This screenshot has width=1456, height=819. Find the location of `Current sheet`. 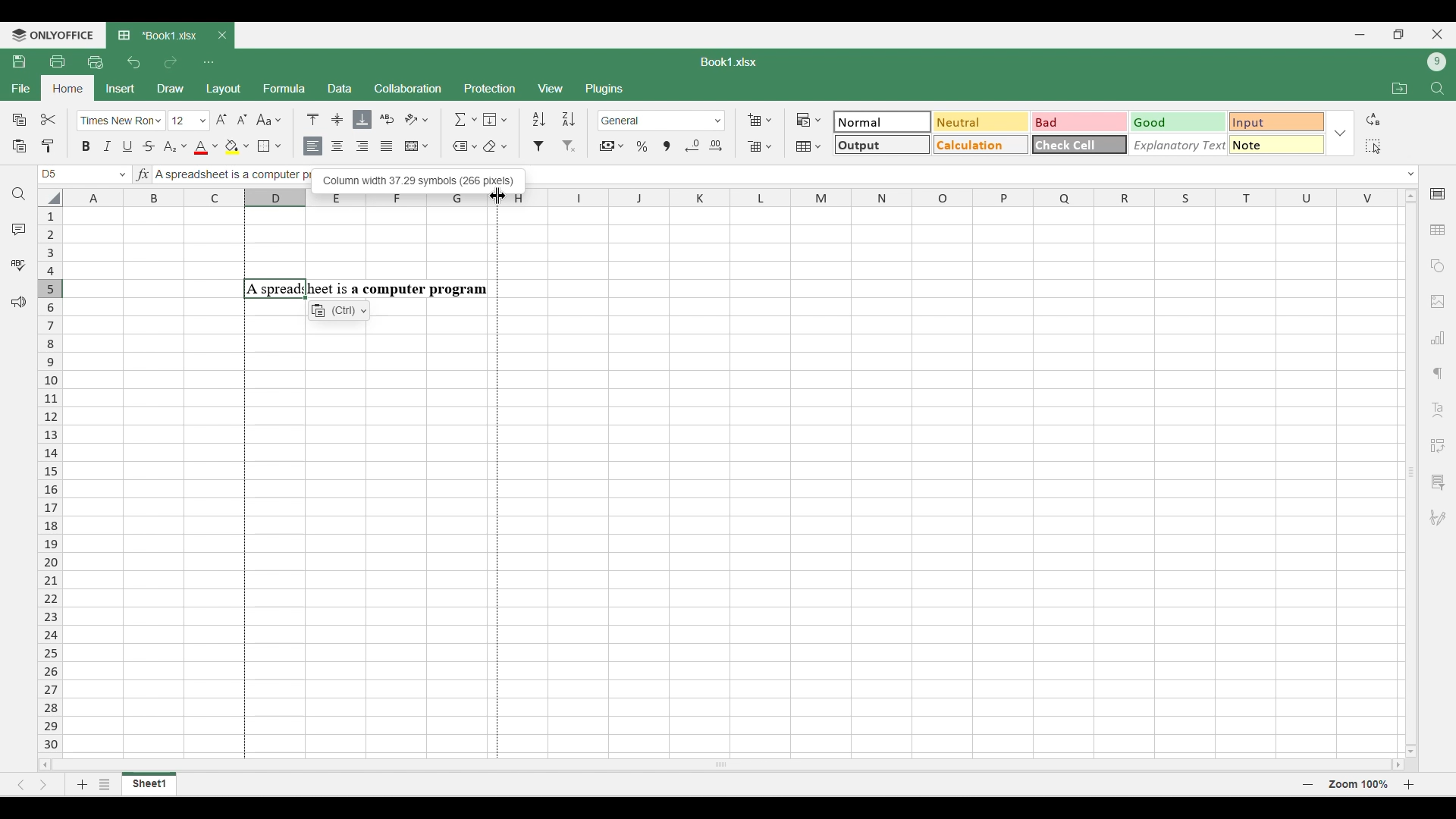

Current sheet is located at coordinates (160, 36).